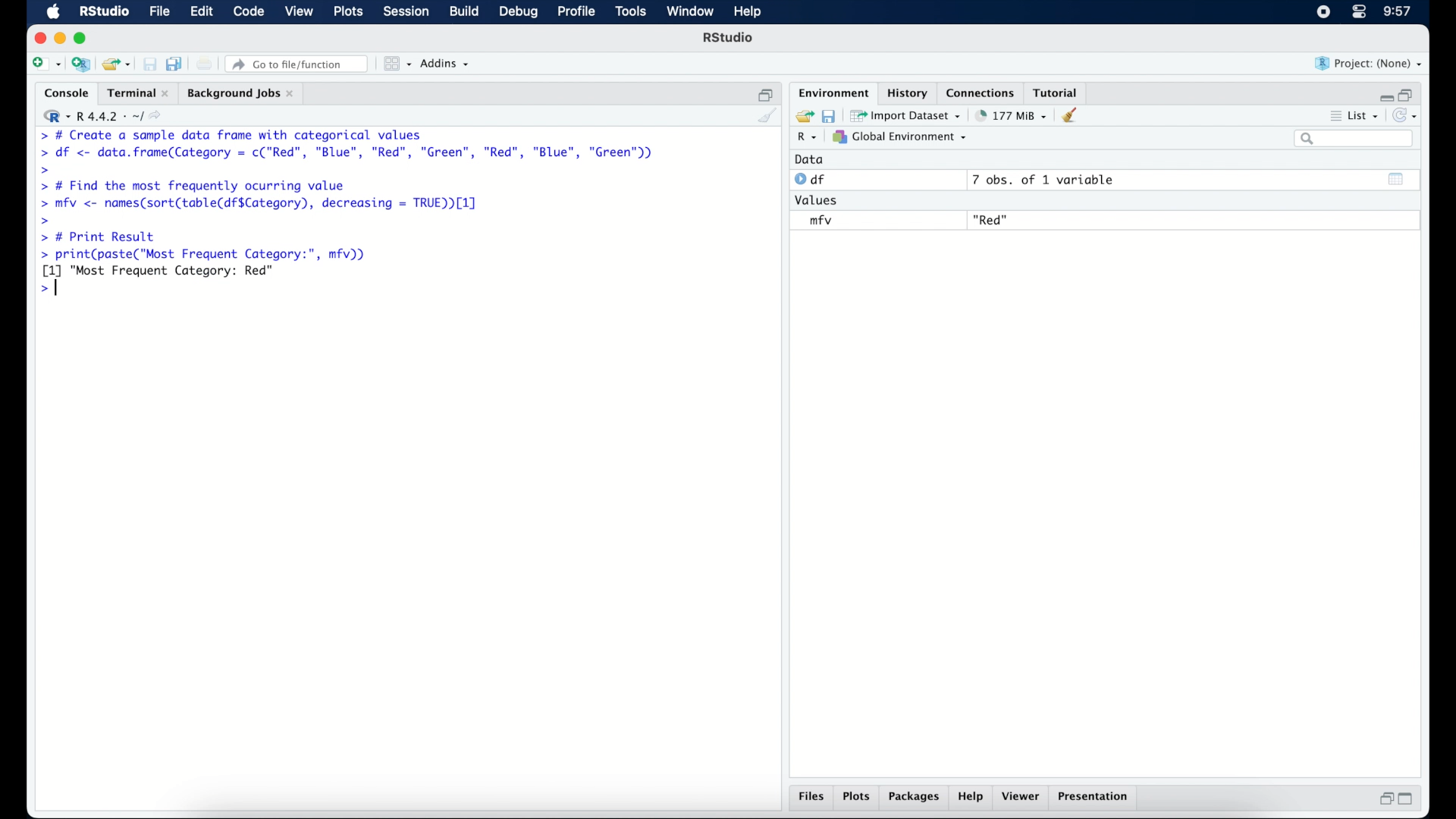  What do you see at coordinates (1366, 115) in the screenshot?
I see `list` at bounding box center [1366, 115].